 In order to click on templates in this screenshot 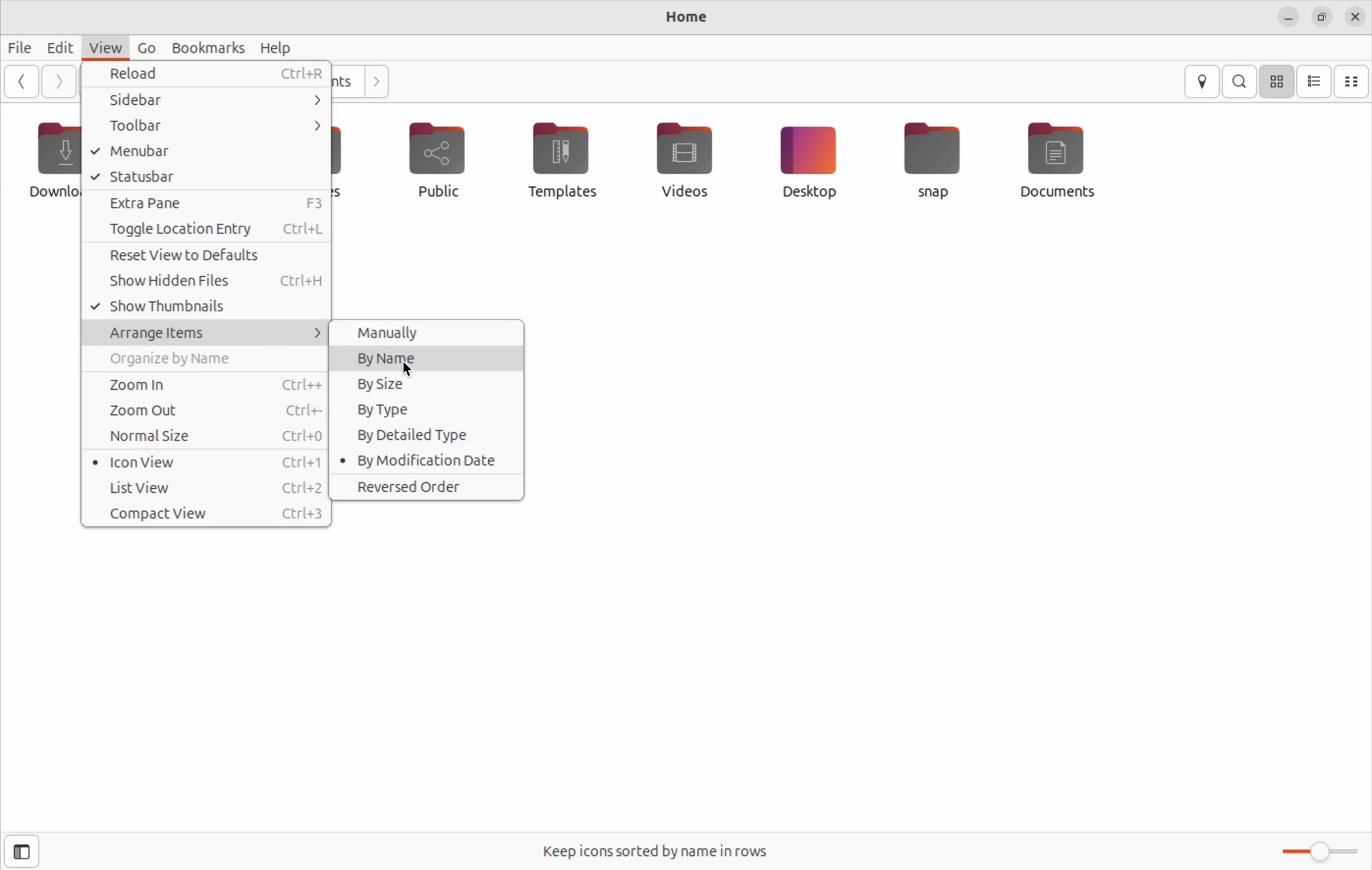, I will do `click(560, 159)`.